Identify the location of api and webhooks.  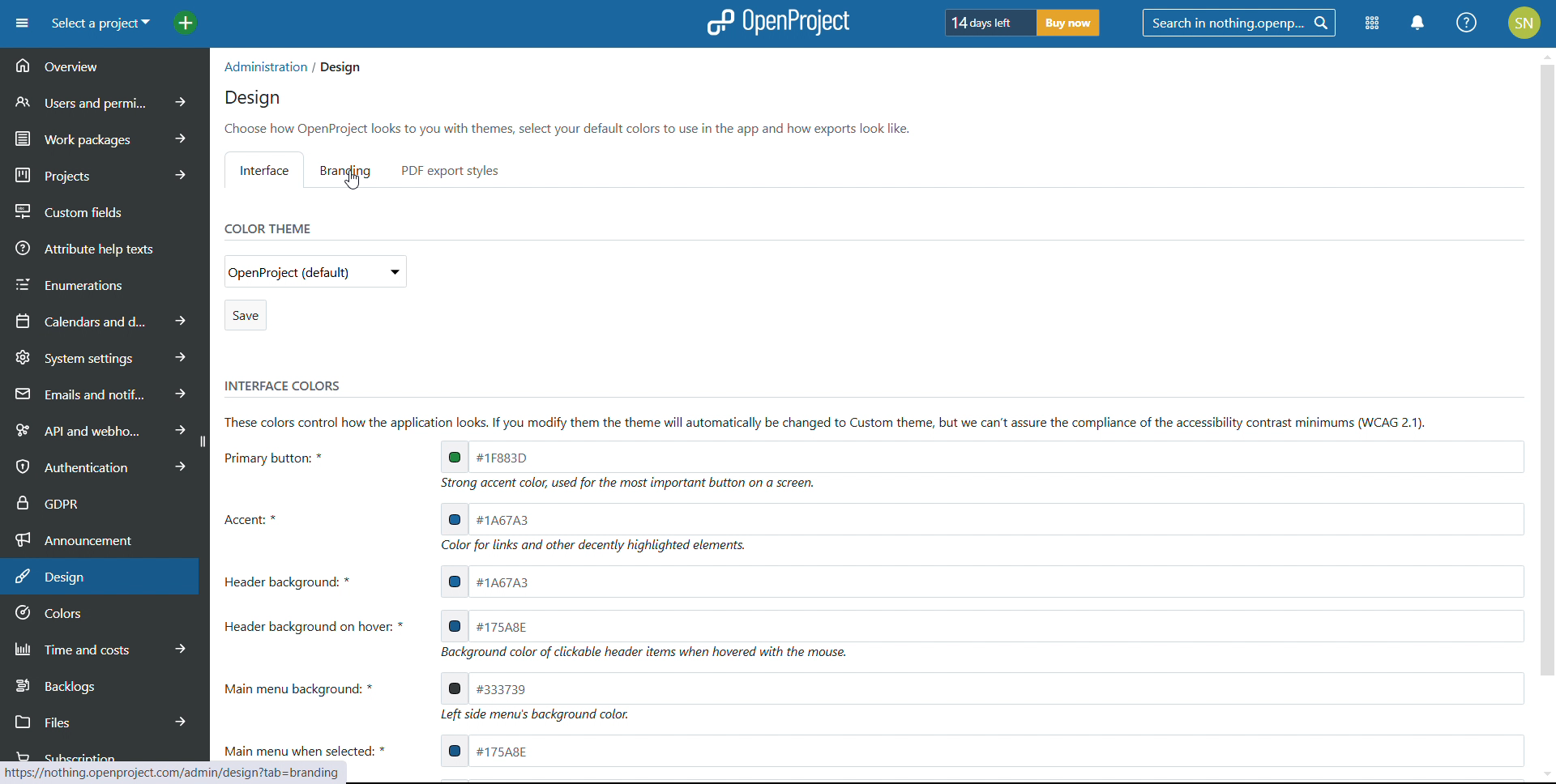
(96, 428).